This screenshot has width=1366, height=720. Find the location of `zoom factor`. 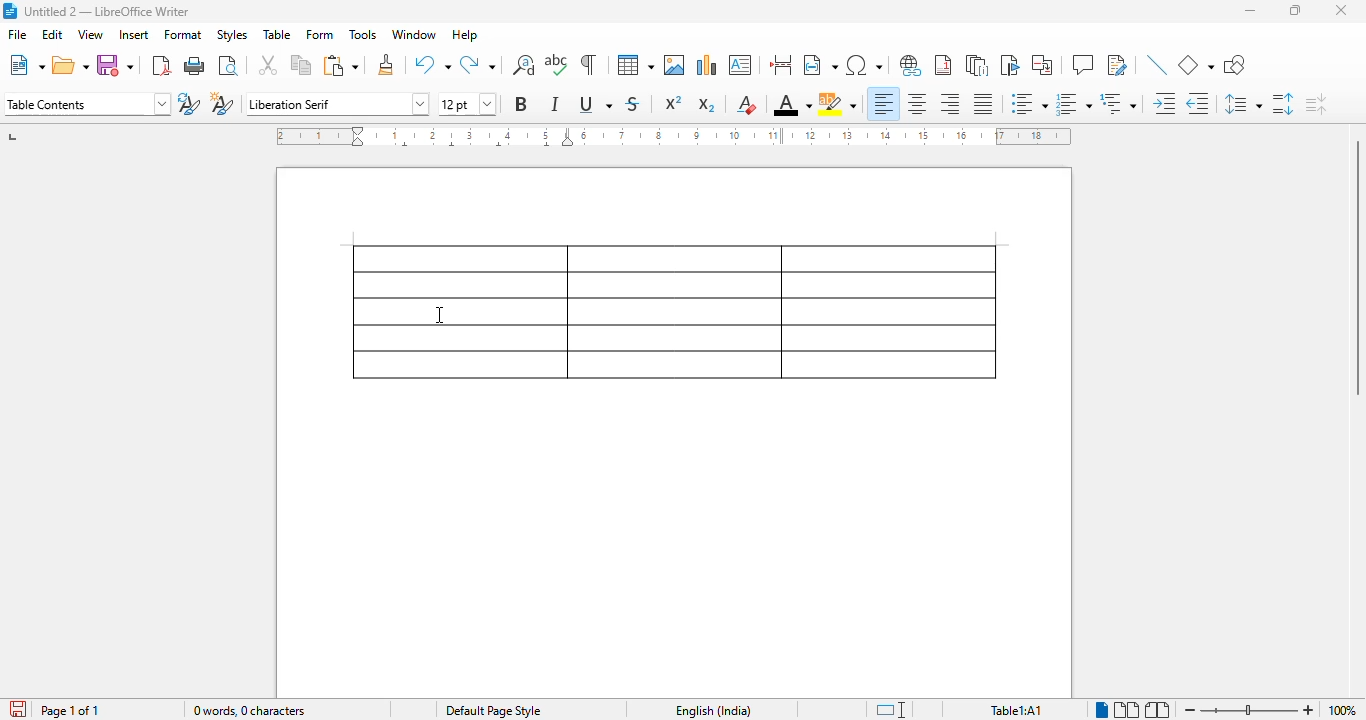

zoom factor is located at coordinates (1342, 710).